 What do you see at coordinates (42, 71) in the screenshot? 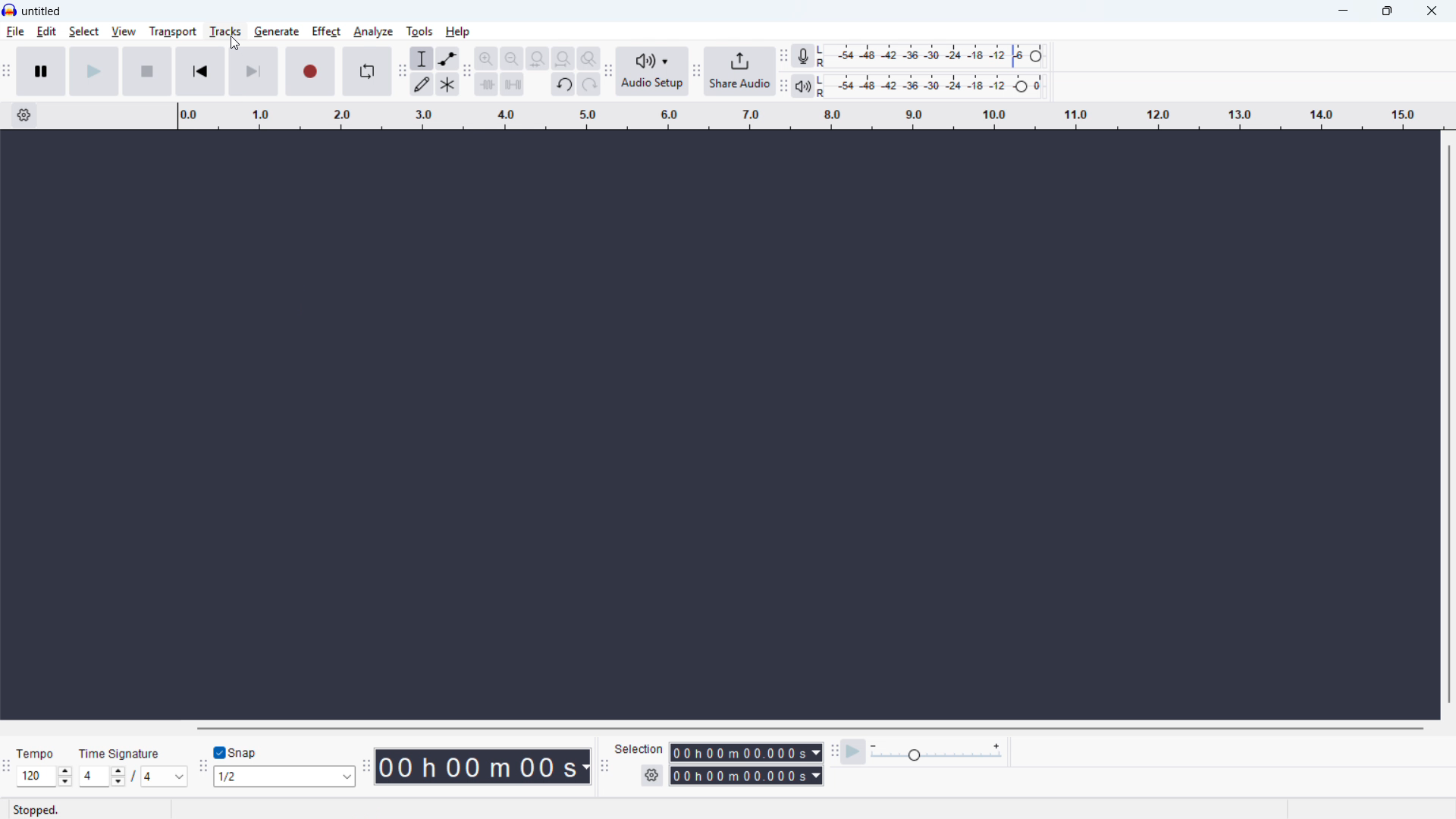
I see `Pause ` at bounding box center [42, 71].